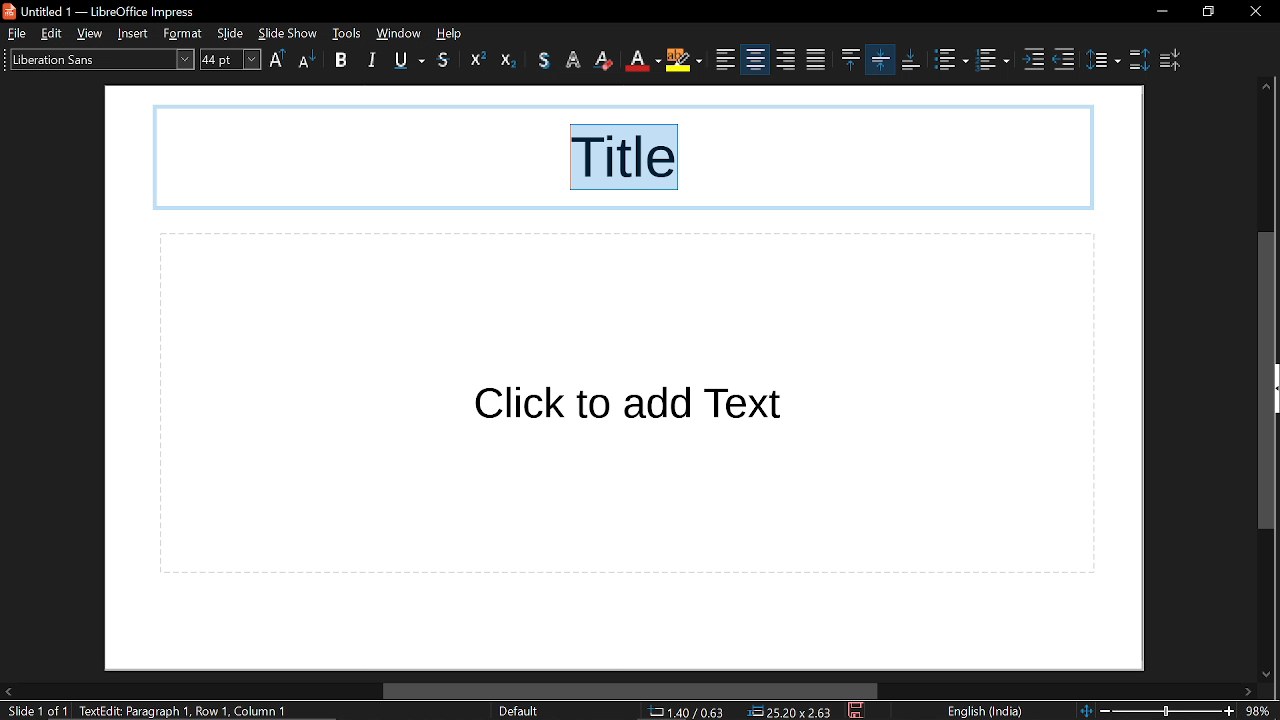 This screenshot has width=1280, height=720. I want to click on align right, so click(754, 59).